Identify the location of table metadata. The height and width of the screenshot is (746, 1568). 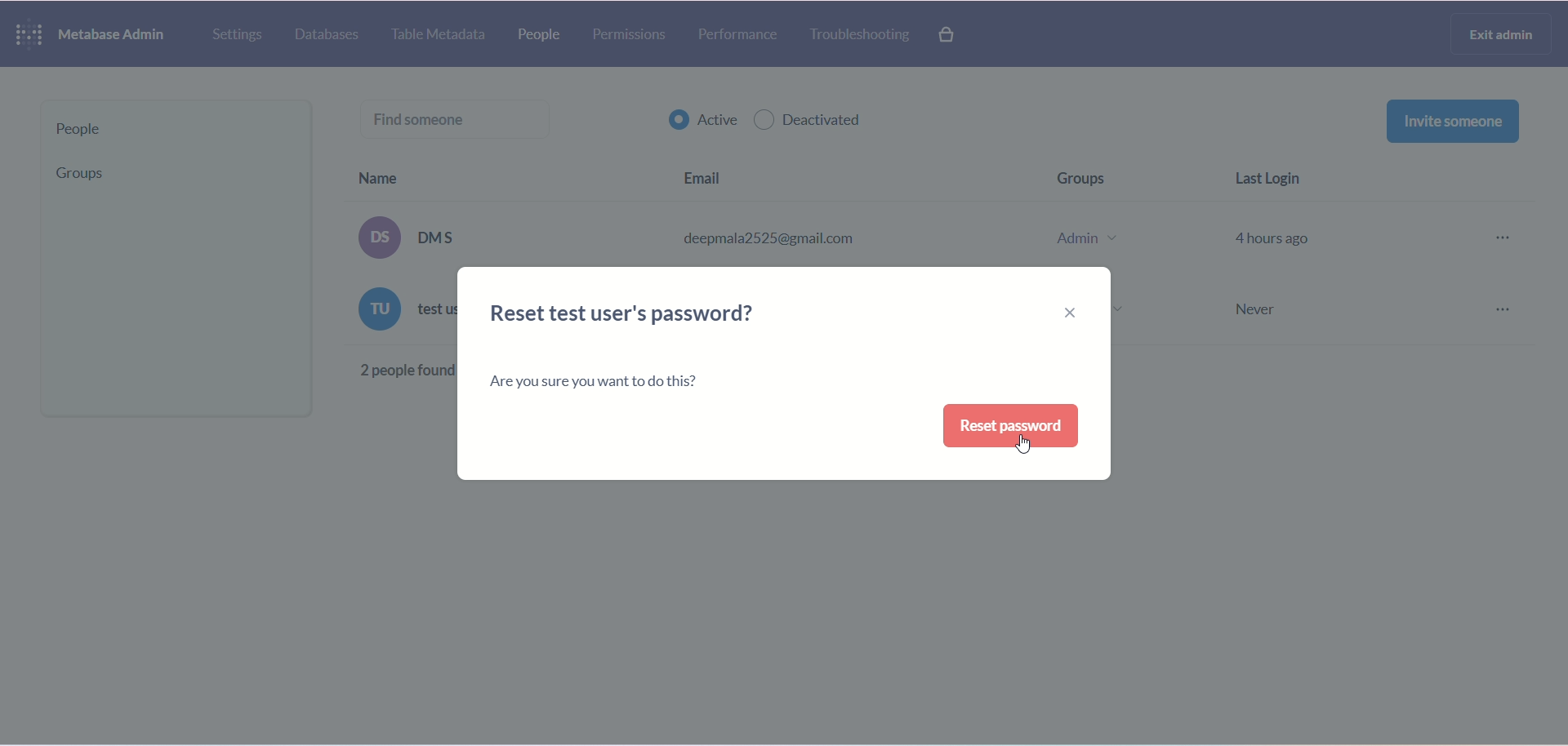
(442, 35).